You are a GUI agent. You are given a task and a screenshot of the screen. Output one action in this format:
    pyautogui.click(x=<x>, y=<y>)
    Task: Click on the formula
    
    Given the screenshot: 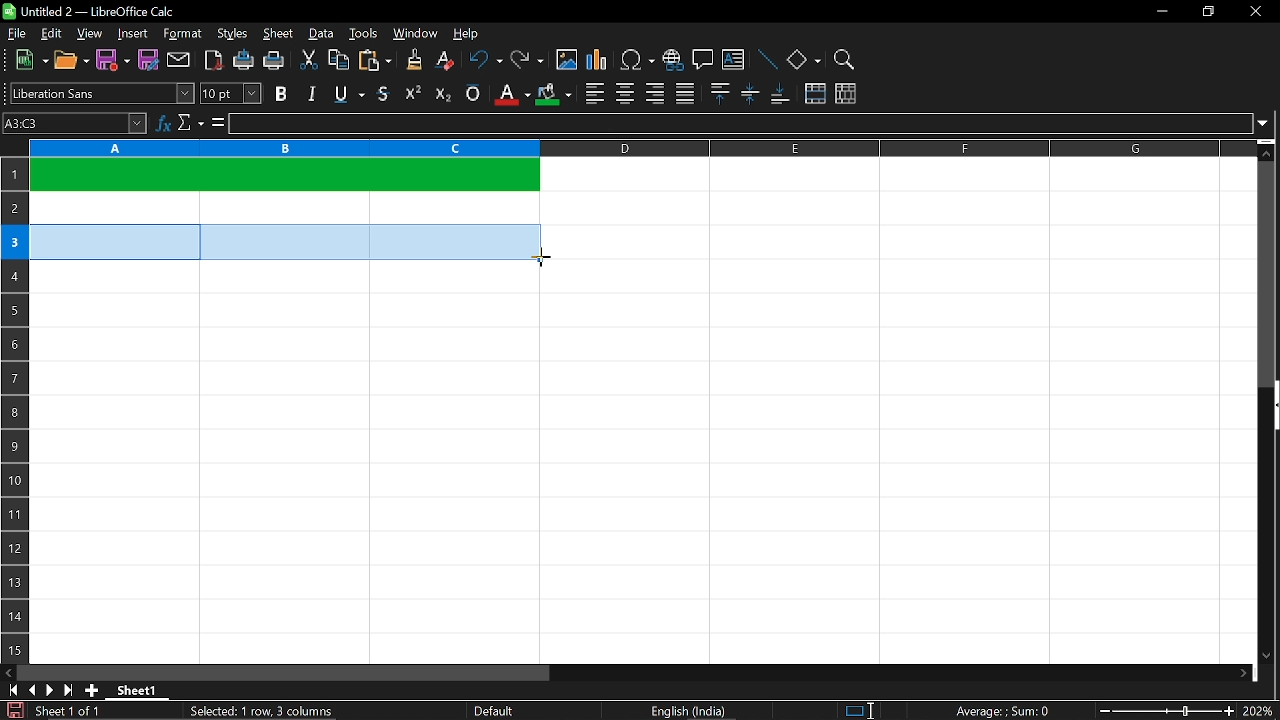 What is the action you would take?
    pyautogui.click(x=216, y=123)
    